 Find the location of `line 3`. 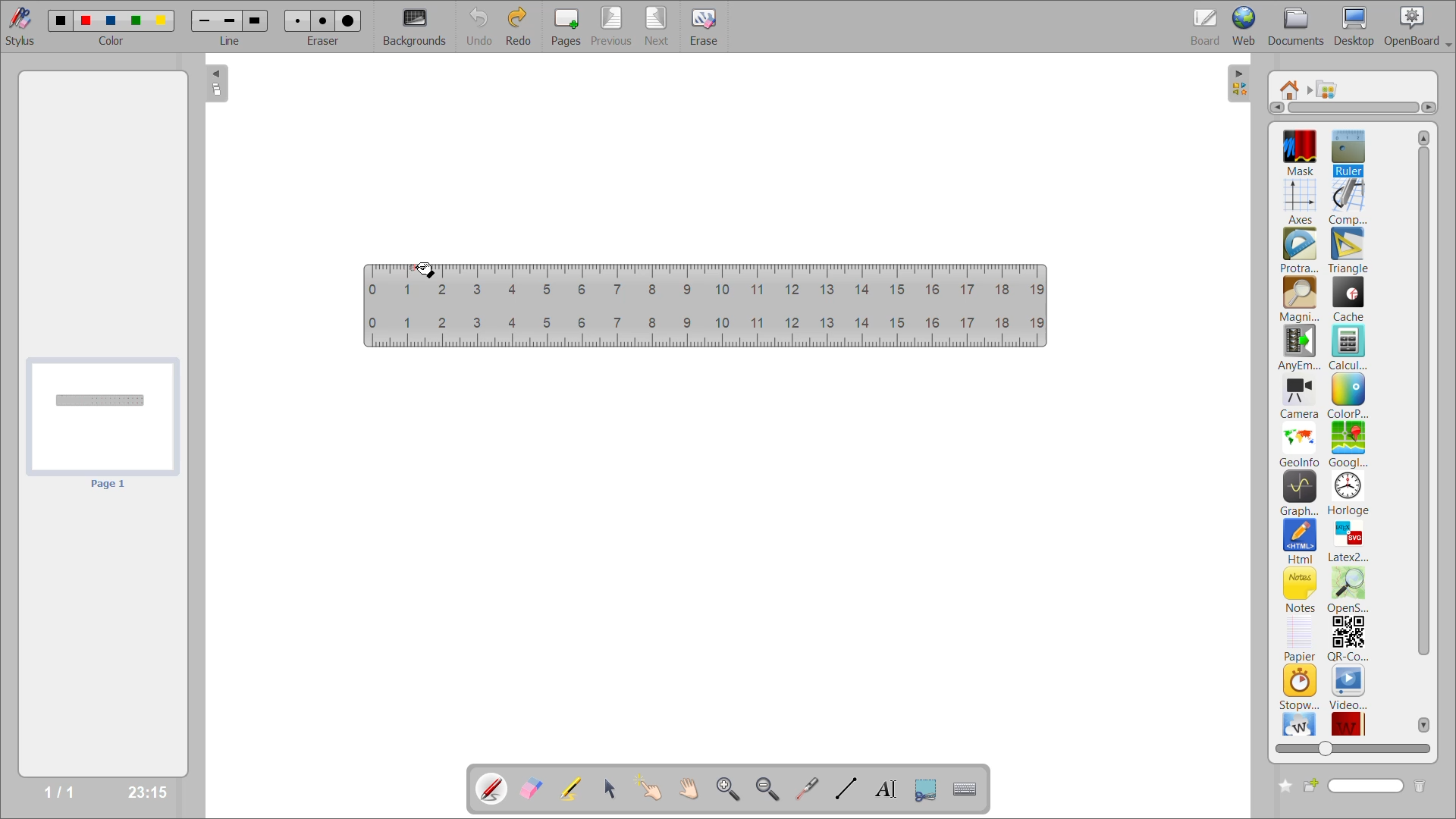

line 3 is located at coordinates (254, 22).